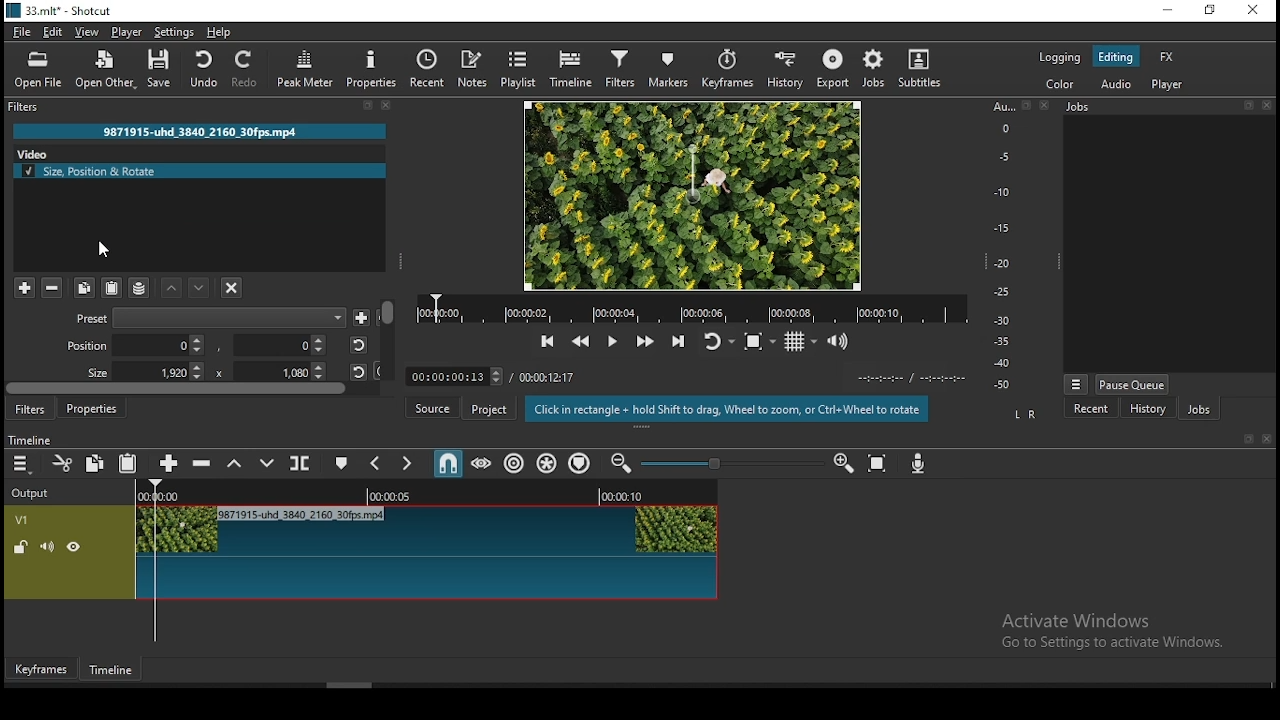  Describe the element at coordinates (614, 340) in the screenshot. I see `play/pause` at that location.